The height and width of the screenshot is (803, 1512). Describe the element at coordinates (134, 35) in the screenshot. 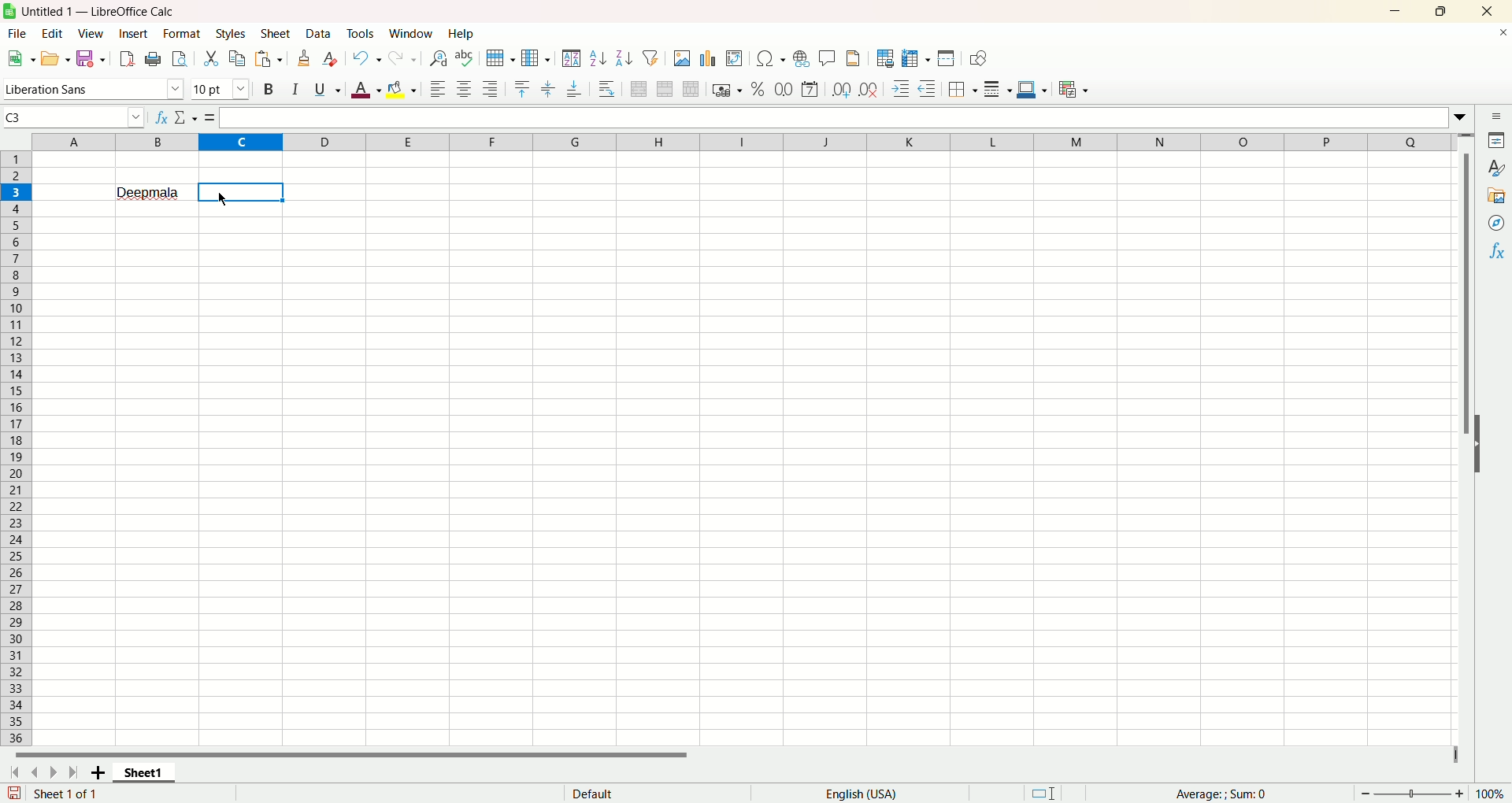

I see `Insert` at that location.